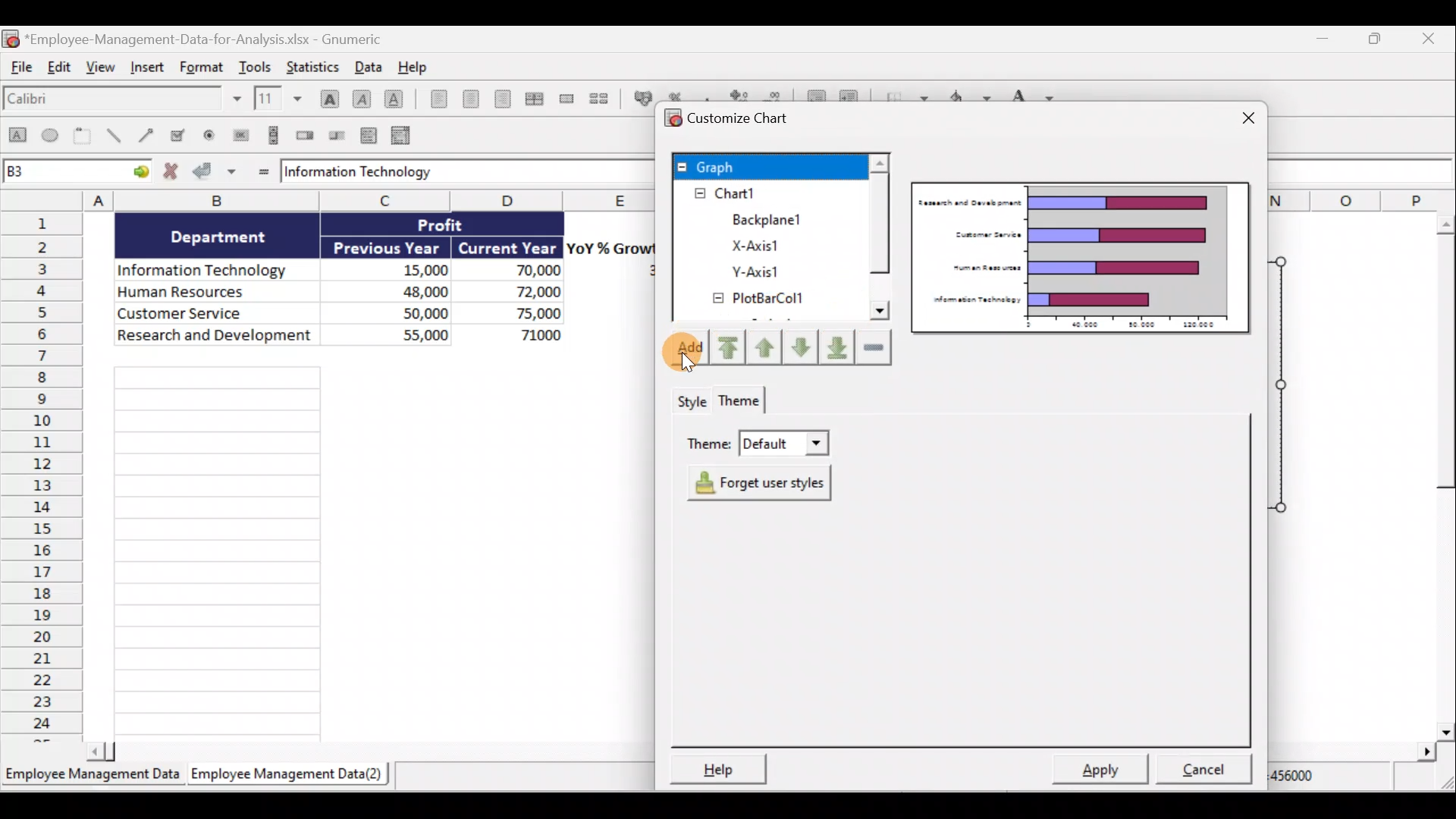 The width and height of the screenshot is (1456, 819). I want to click on Create a spin button, so click(306, 134).